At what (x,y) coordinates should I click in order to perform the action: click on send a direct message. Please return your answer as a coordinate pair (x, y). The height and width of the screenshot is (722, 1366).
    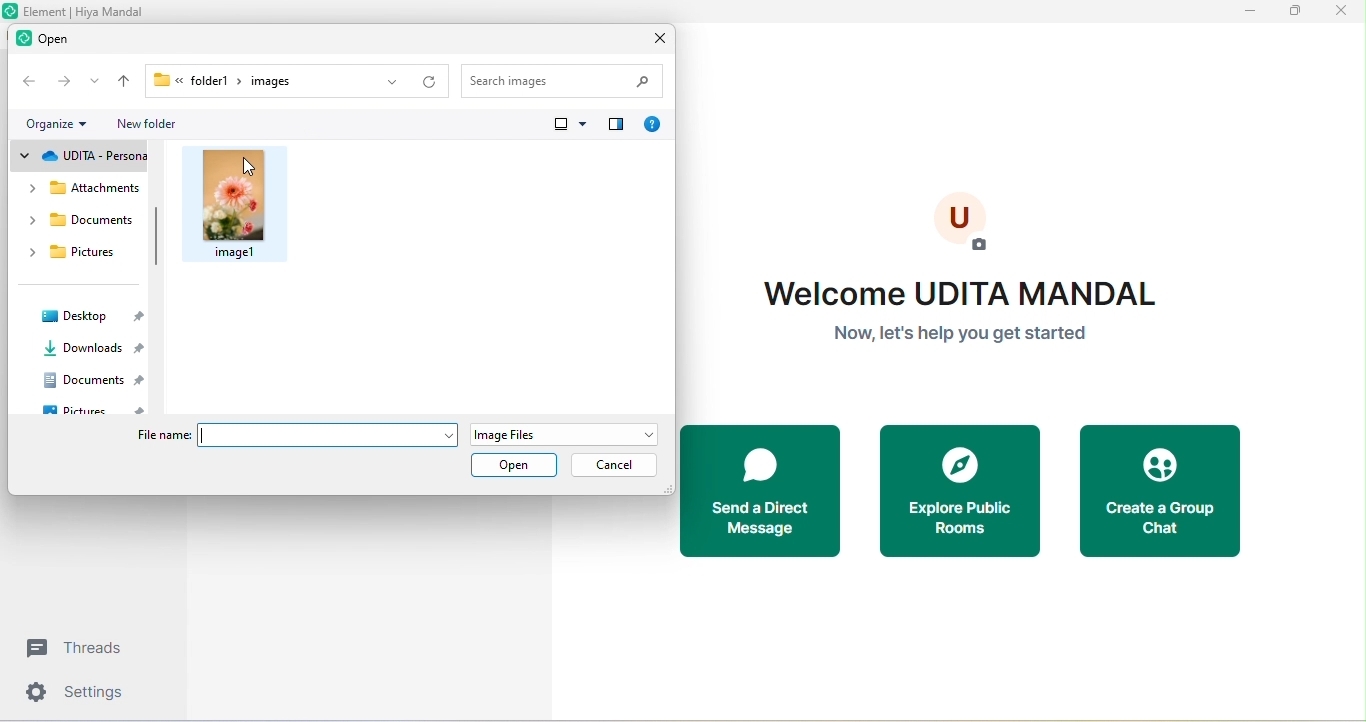
    Looking at the image, I should click on (760, 491).